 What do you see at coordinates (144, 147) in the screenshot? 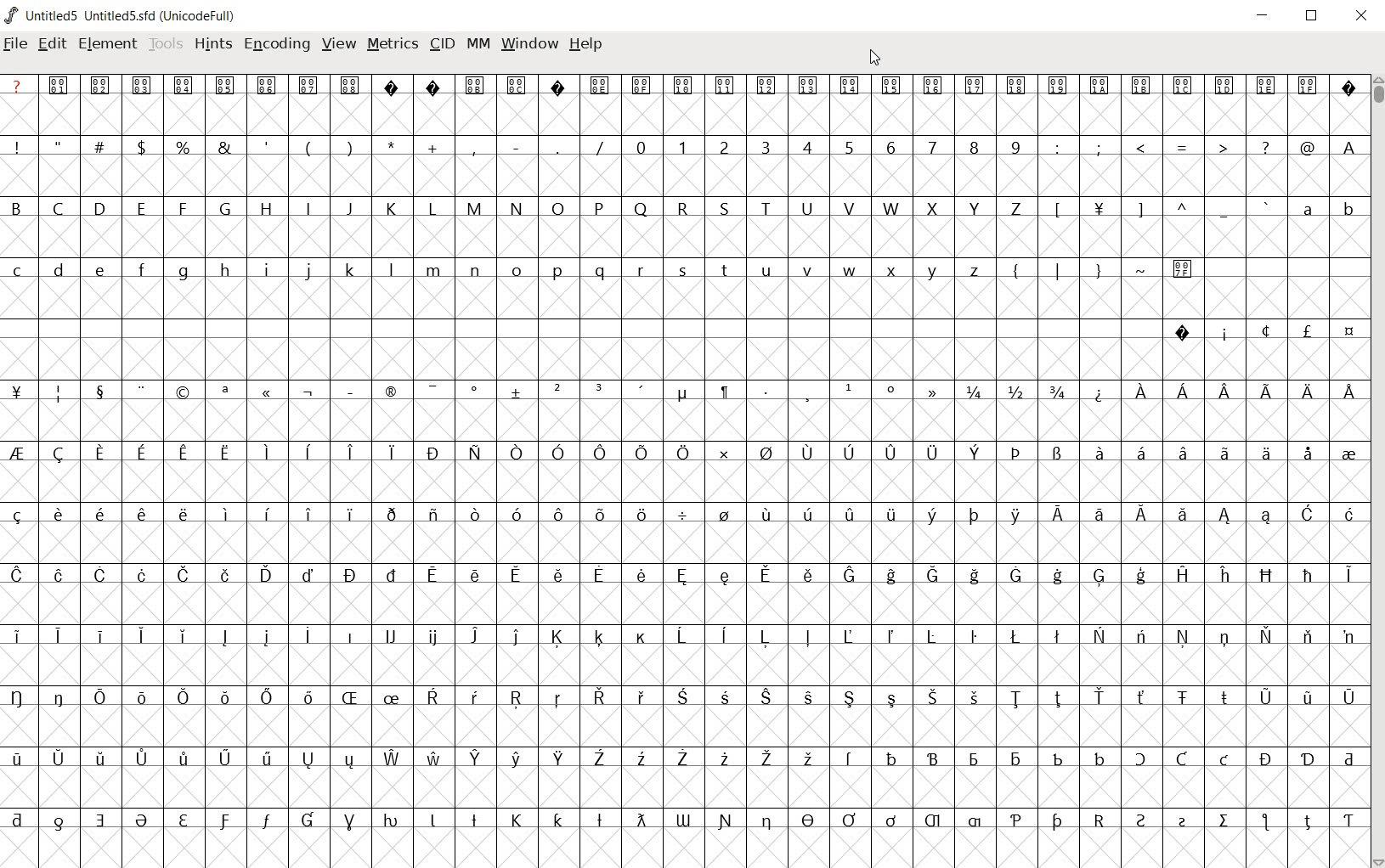
I see `$` at bounding box center [144, 147].